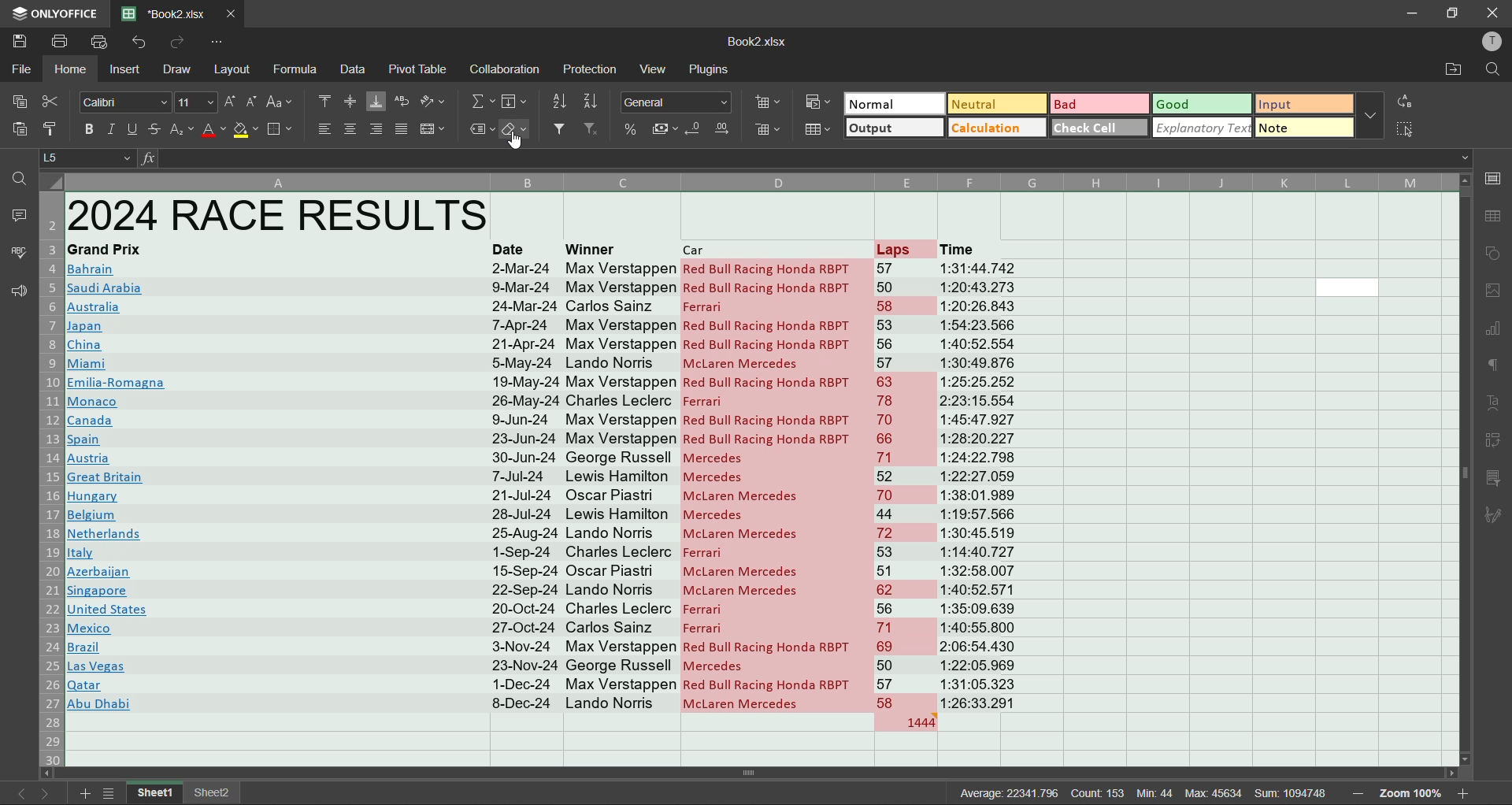 This screenshot has width=1512, height=805. I want to click on align top, so click(325, 101).